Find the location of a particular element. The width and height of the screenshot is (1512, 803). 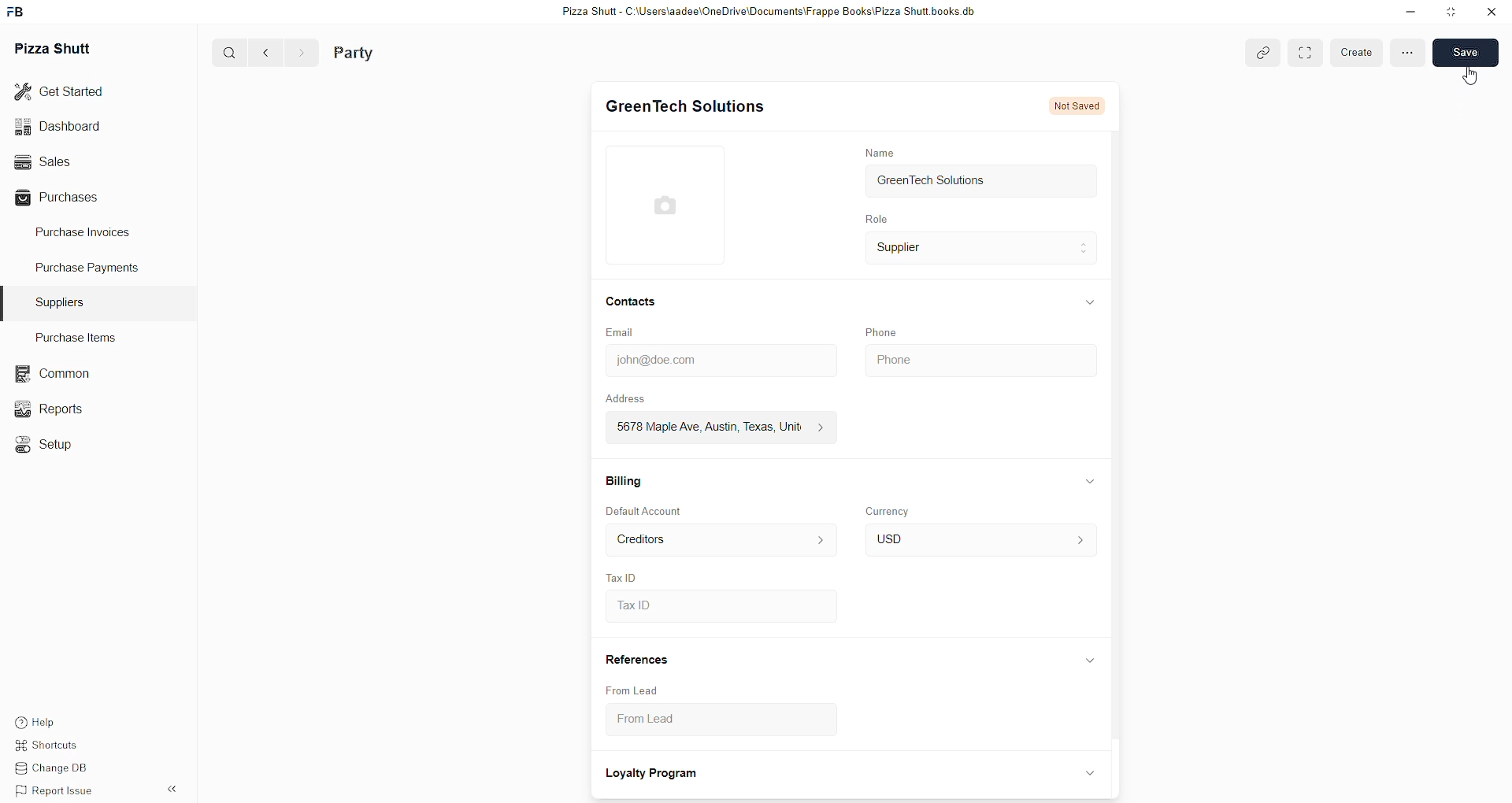

Phone is located at coordinates (884, 331).